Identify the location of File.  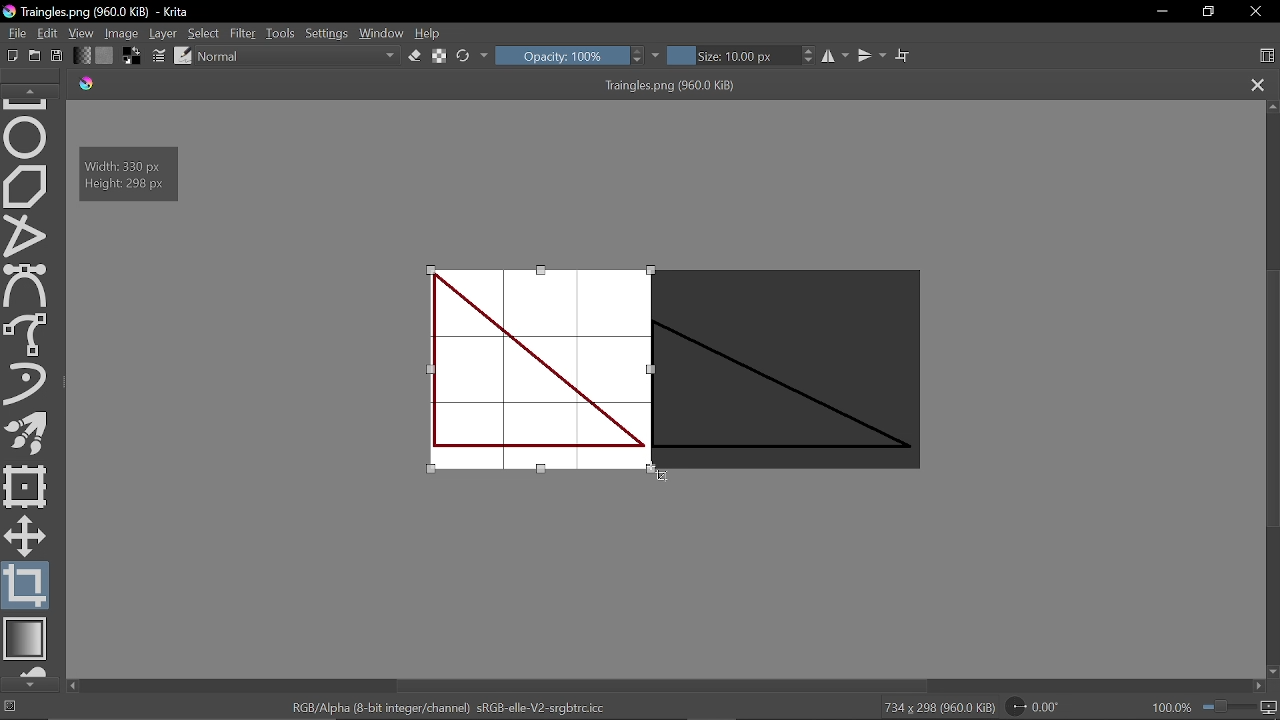
(14, 32).